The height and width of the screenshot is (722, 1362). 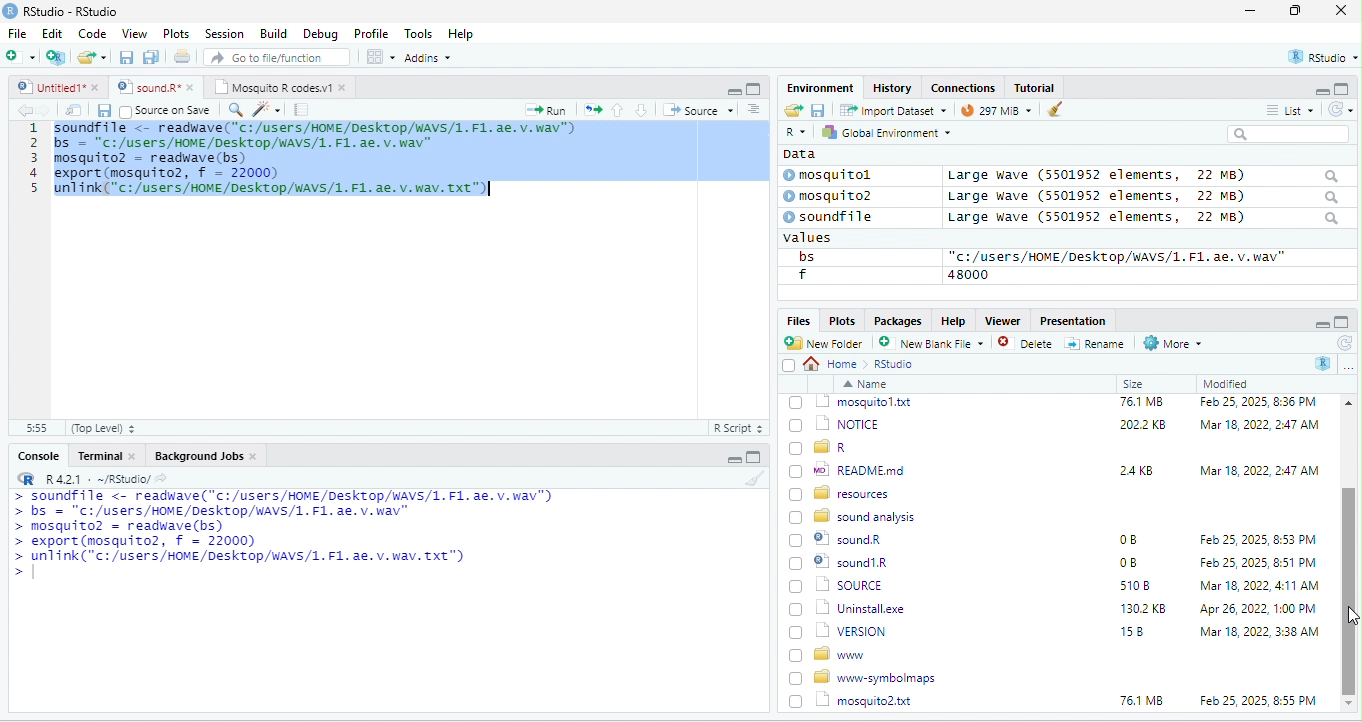 What do you see at coordinates (1342, 322) in the screenshot?
I see `maximize` at bounding box center [1342, 322].